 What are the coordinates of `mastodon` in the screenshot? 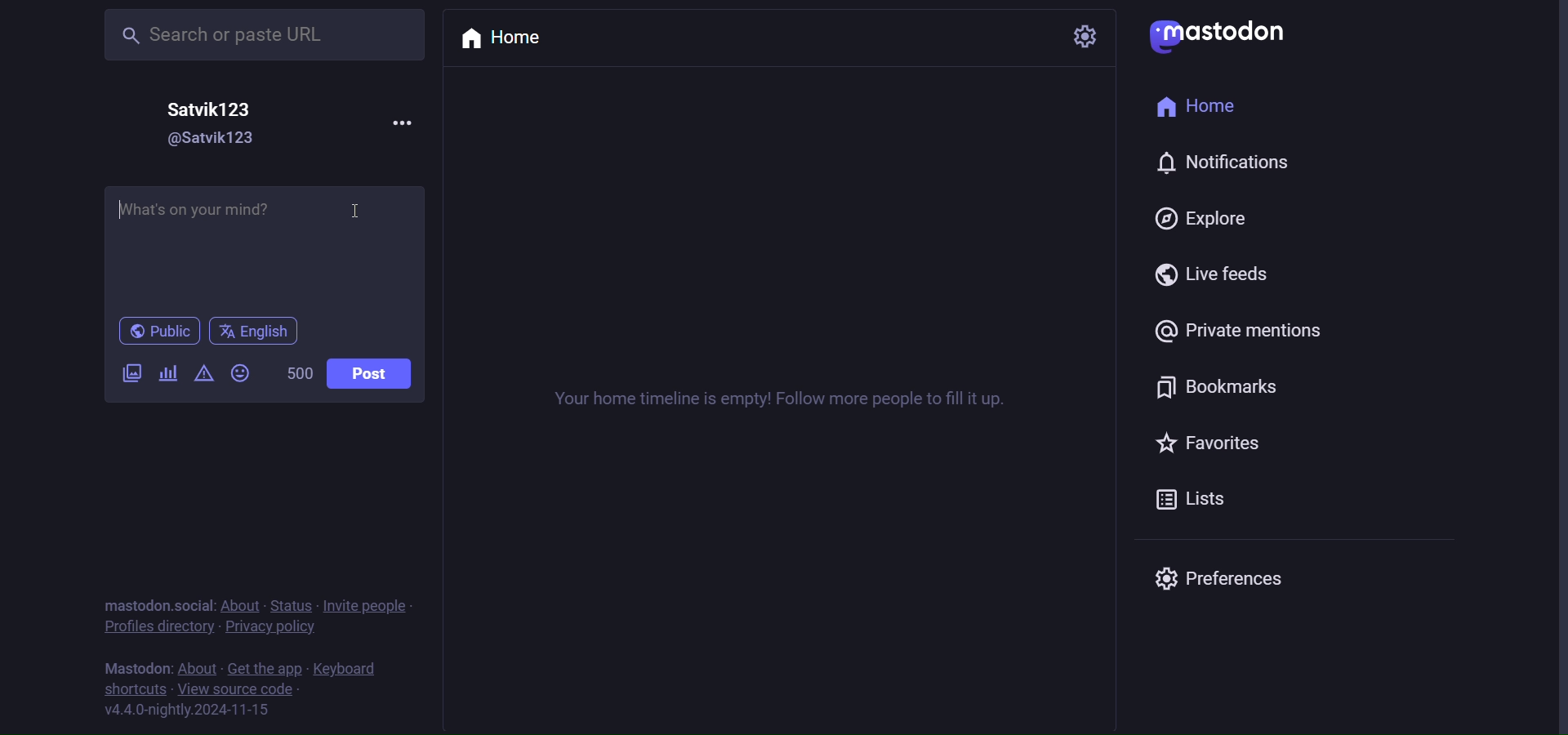 It's located at (1222, 33).